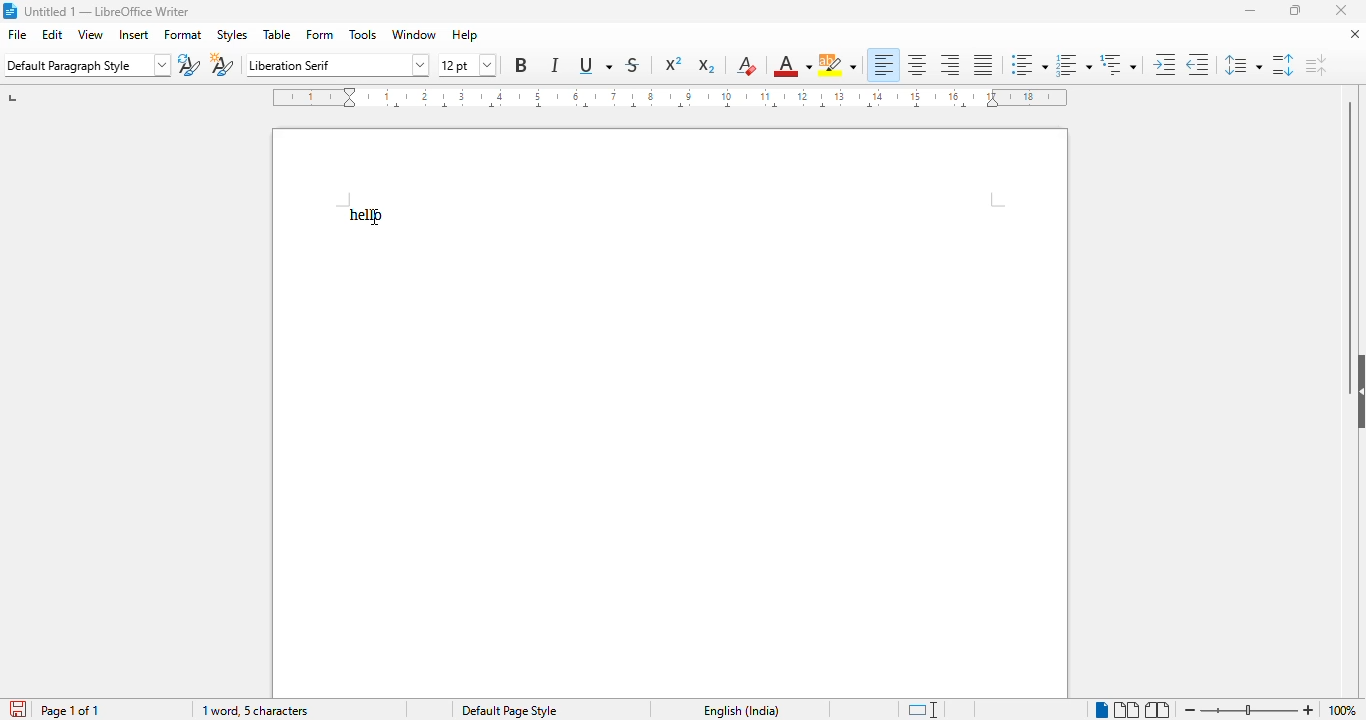 The height and width of the screenshot is (720, 1366). Describe the element at coordinates (487, 63) in the screenshot. I see `dropdown` at that location.